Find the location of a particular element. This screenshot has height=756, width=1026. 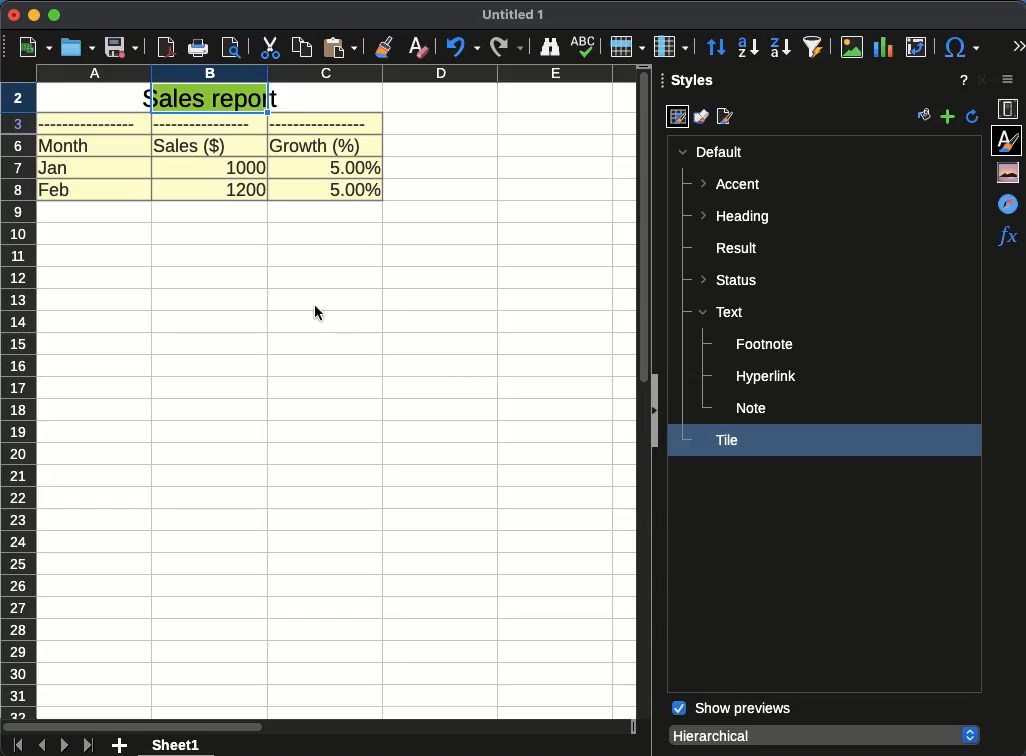

styles is located at coordinates (695, 83).